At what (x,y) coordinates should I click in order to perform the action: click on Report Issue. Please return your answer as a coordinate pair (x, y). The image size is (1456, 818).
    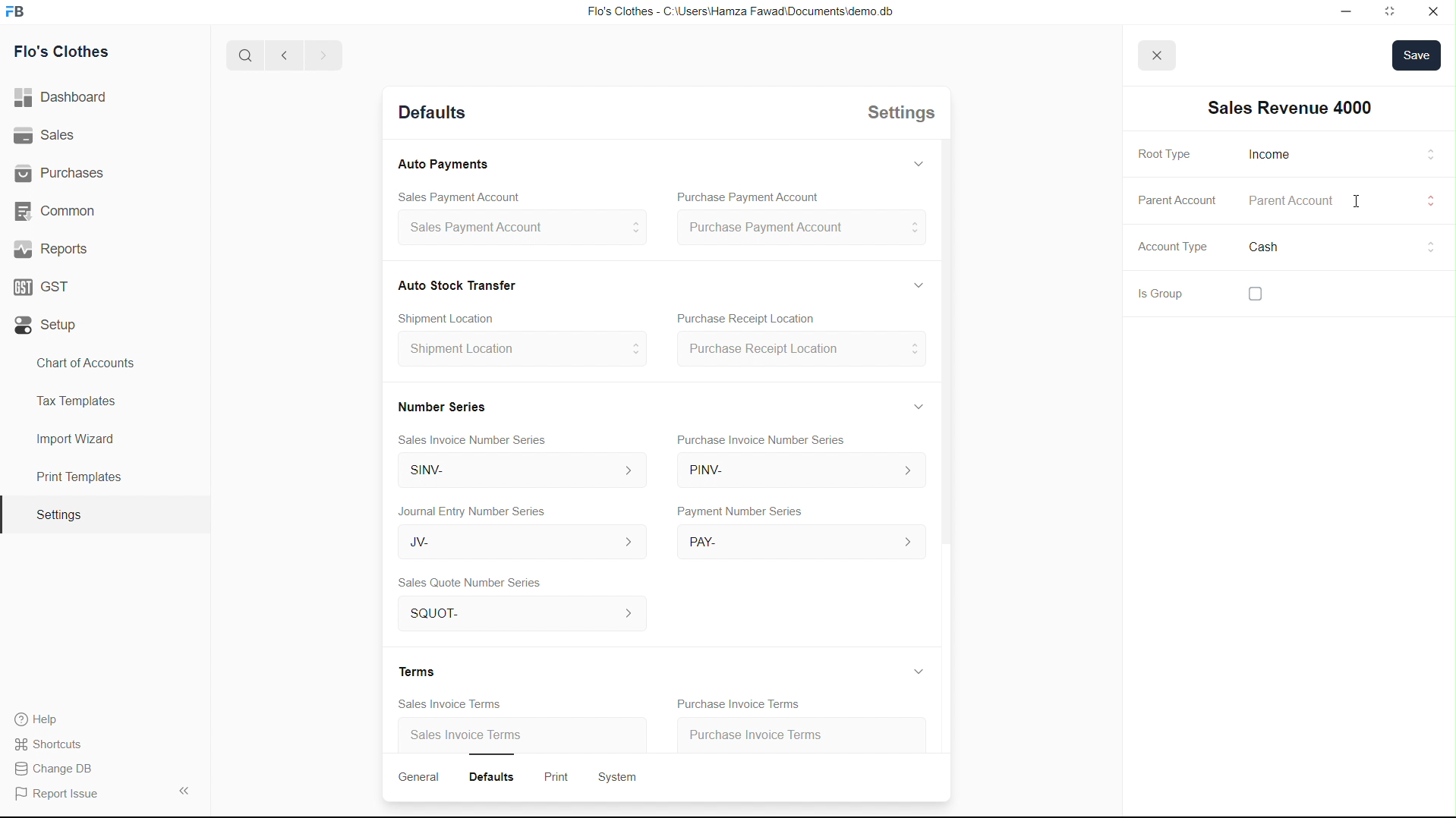
    Looking at the image, I should click on (61, 794).